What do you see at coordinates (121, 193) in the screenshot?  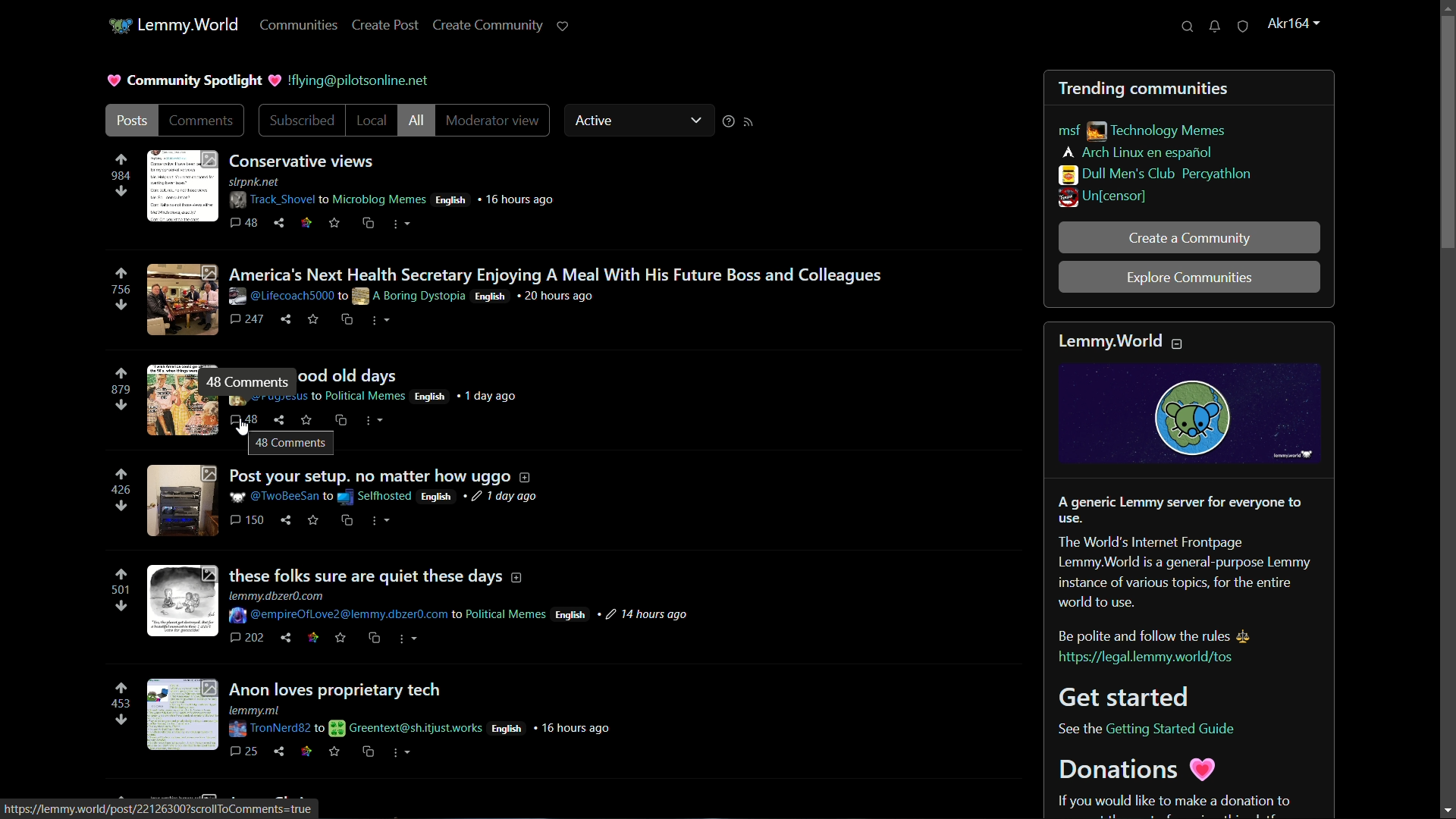 I see `downvote` at bounding box center [121, 193].